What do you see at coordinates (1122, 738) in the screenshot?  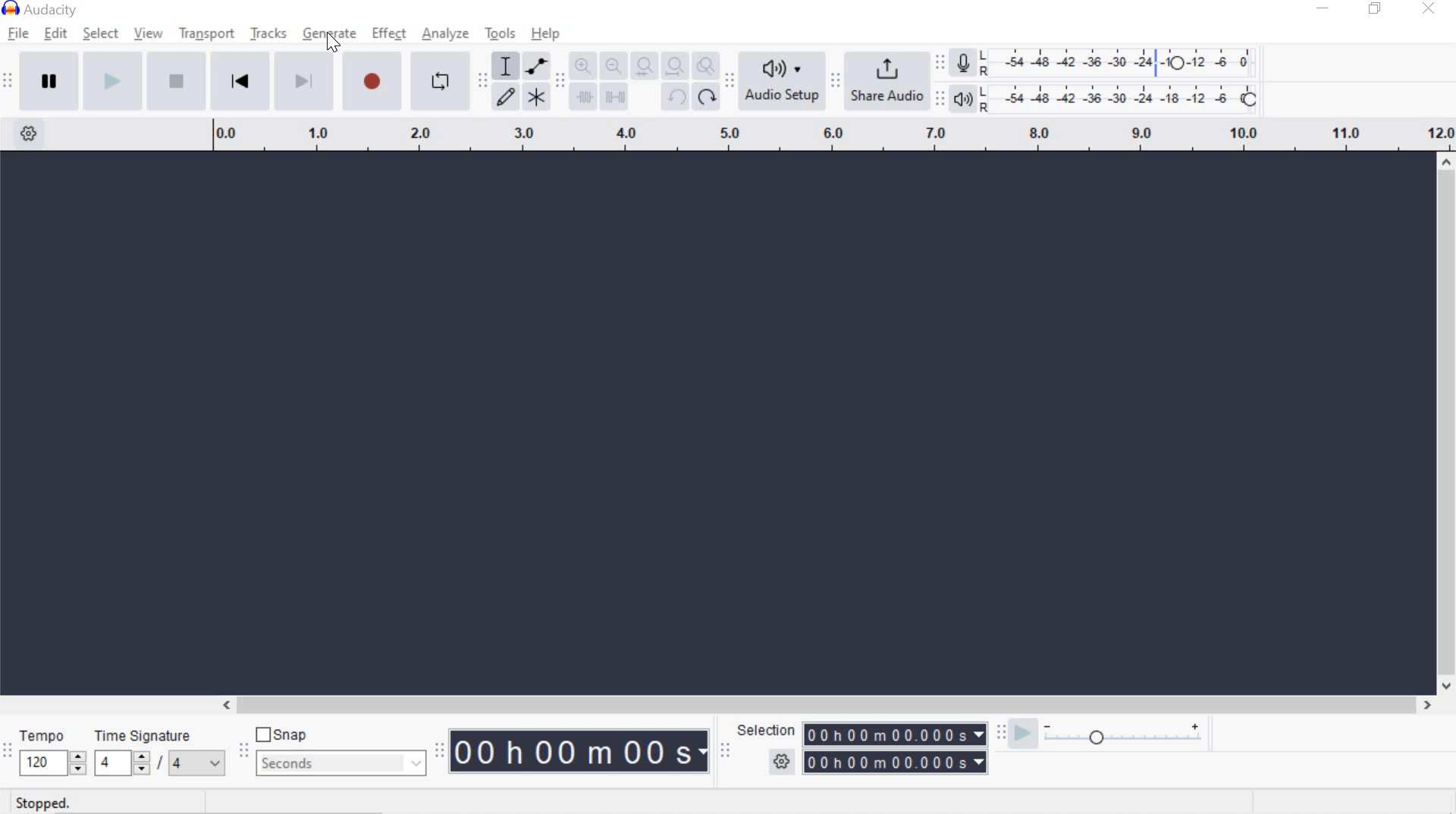 I see `Playback speed` at bounding box center [1122, 738].